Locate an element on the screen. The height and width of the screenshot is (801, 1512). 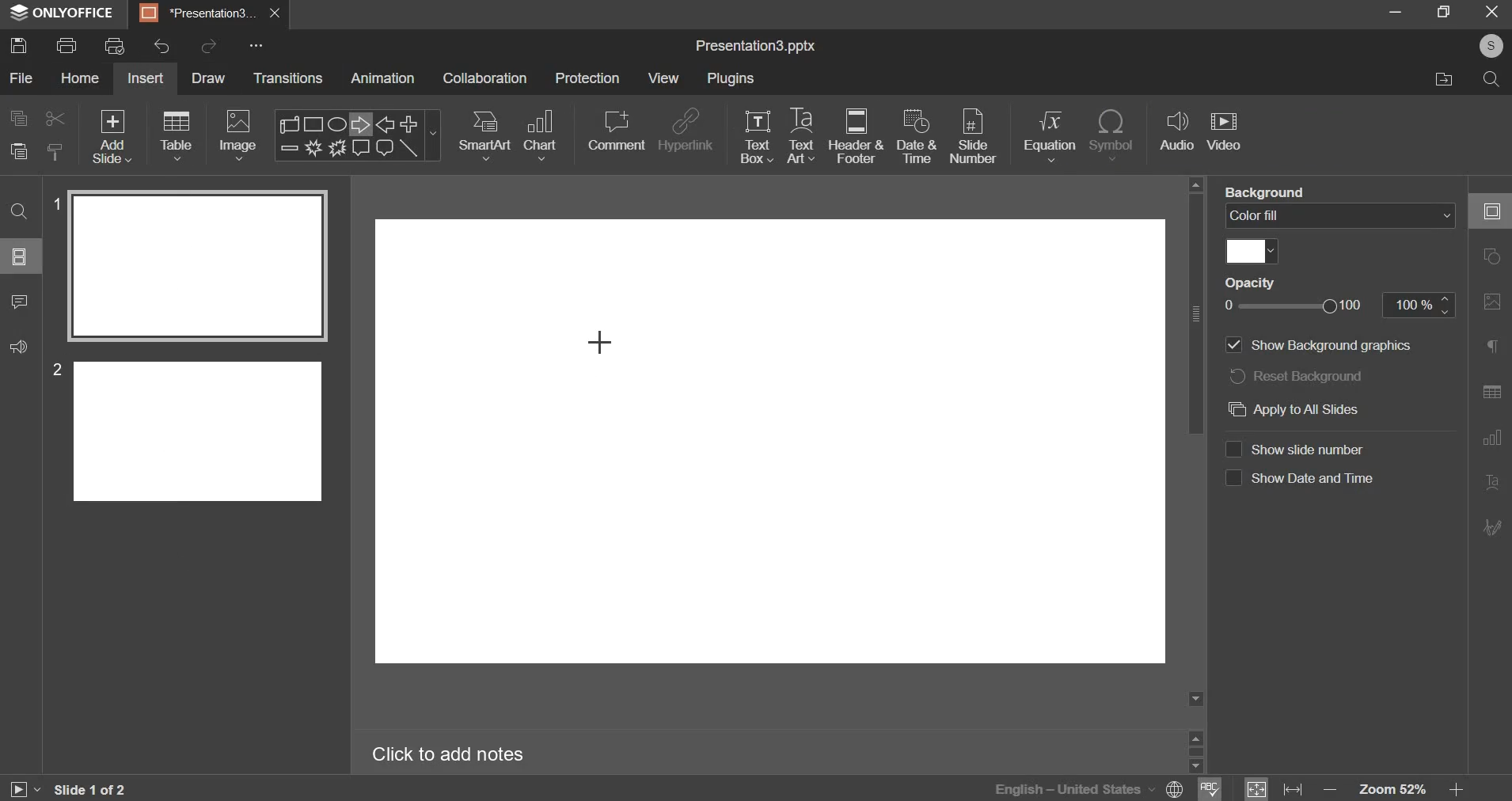
Presentation3 is located at coordinates (195, 16).